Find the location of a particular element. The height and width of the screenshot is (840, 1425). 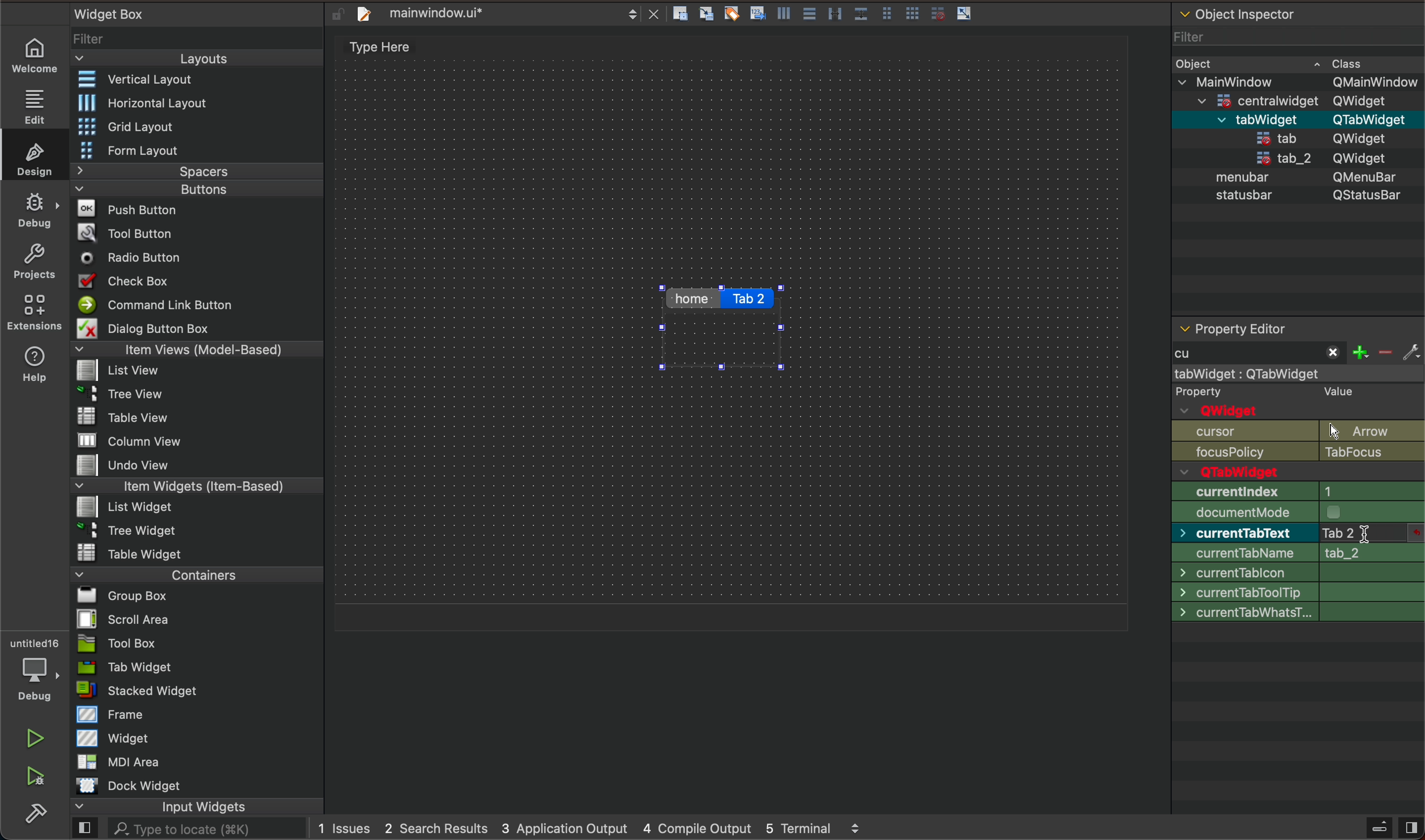

 Radio Button is located at coordinates (125, 258).